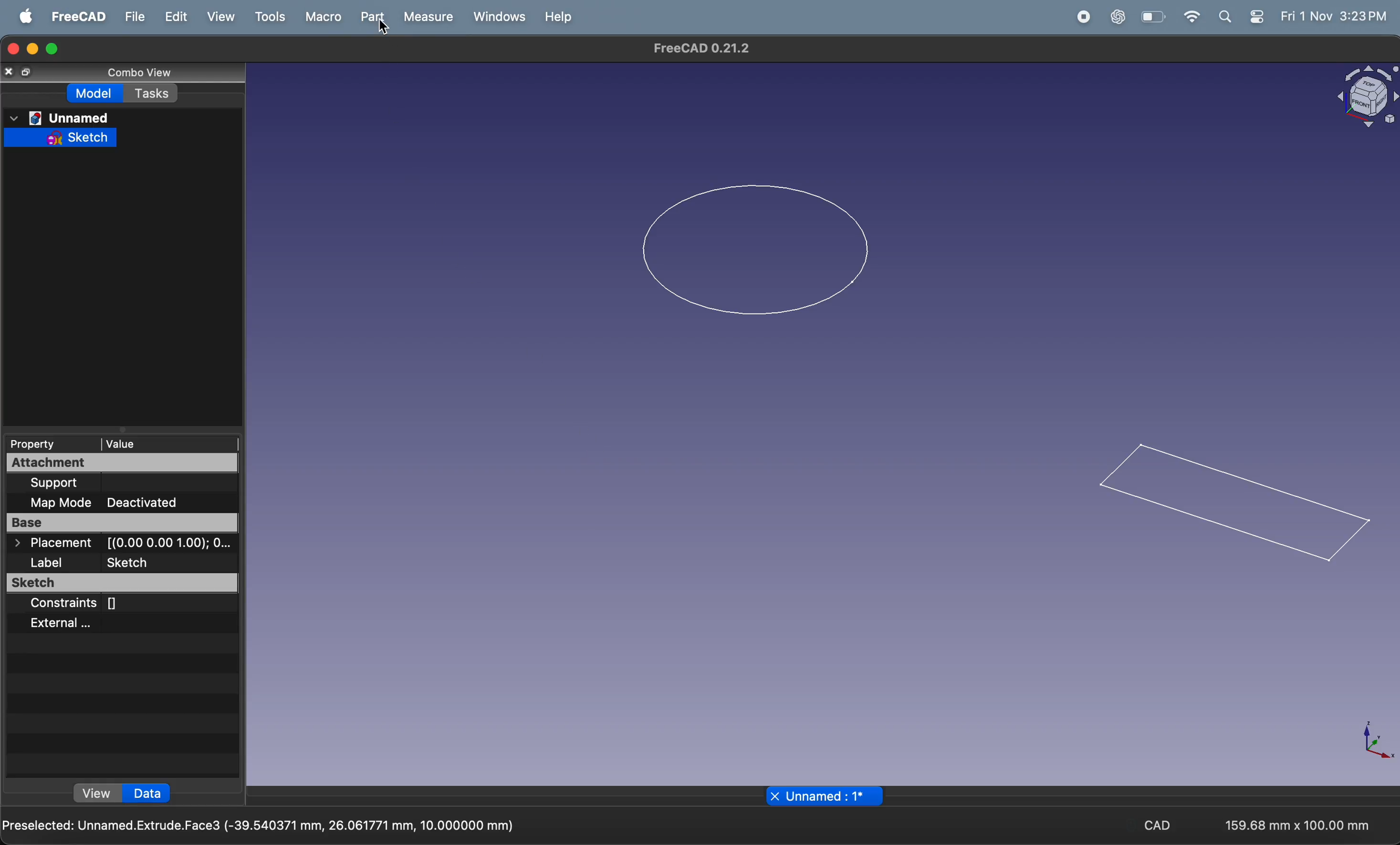 The image size is (1400, 845). Describe the element at coordinates (261, 827) in the screenshot. I see `Preselected: Unnamed.Extrude.Face3 (-39.540371 mm, 26.061771 mm, 10.000000 mm)` at that location.